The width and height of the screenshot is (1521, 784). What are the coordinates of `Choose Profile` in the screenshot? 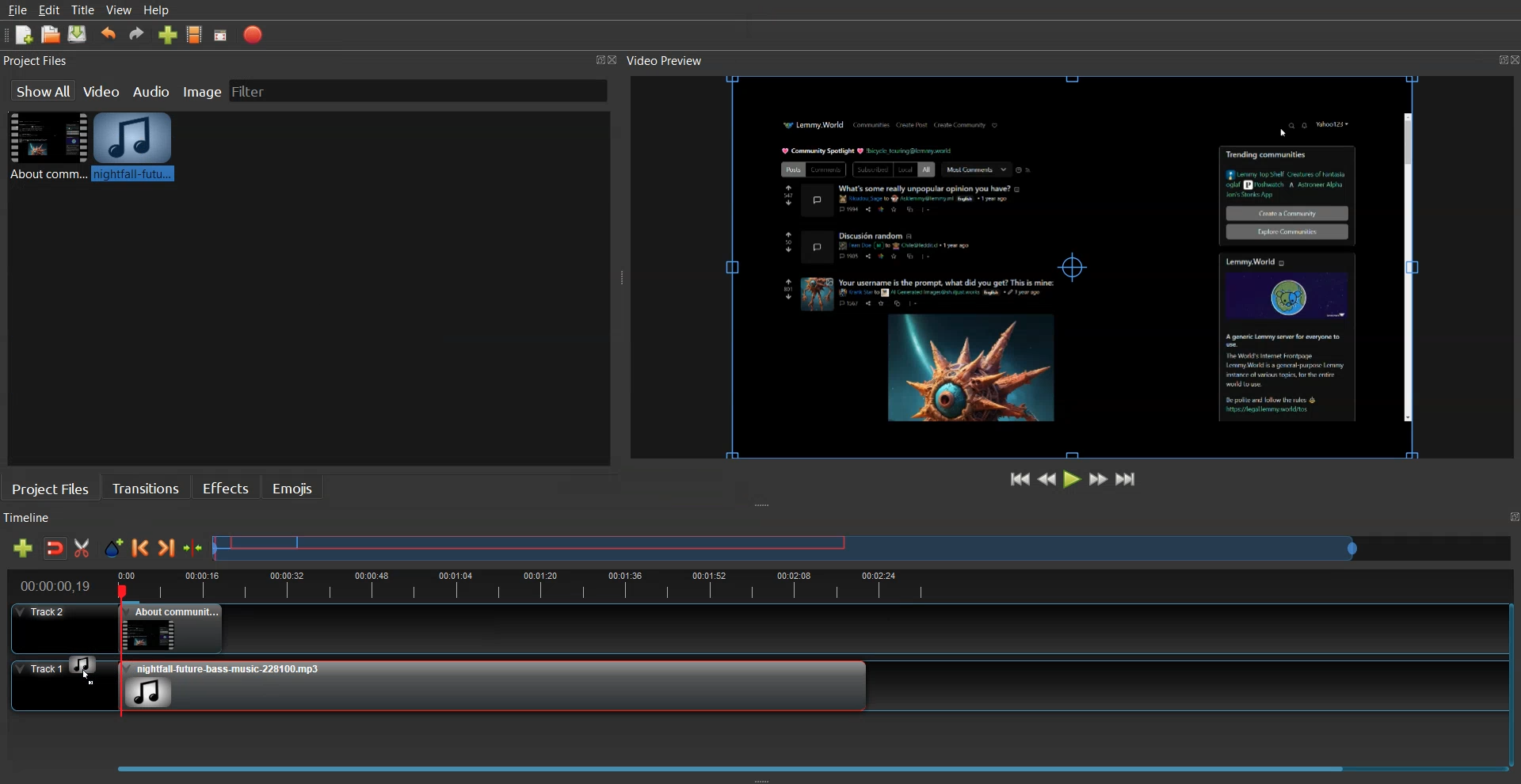 It's located at (195, 34).